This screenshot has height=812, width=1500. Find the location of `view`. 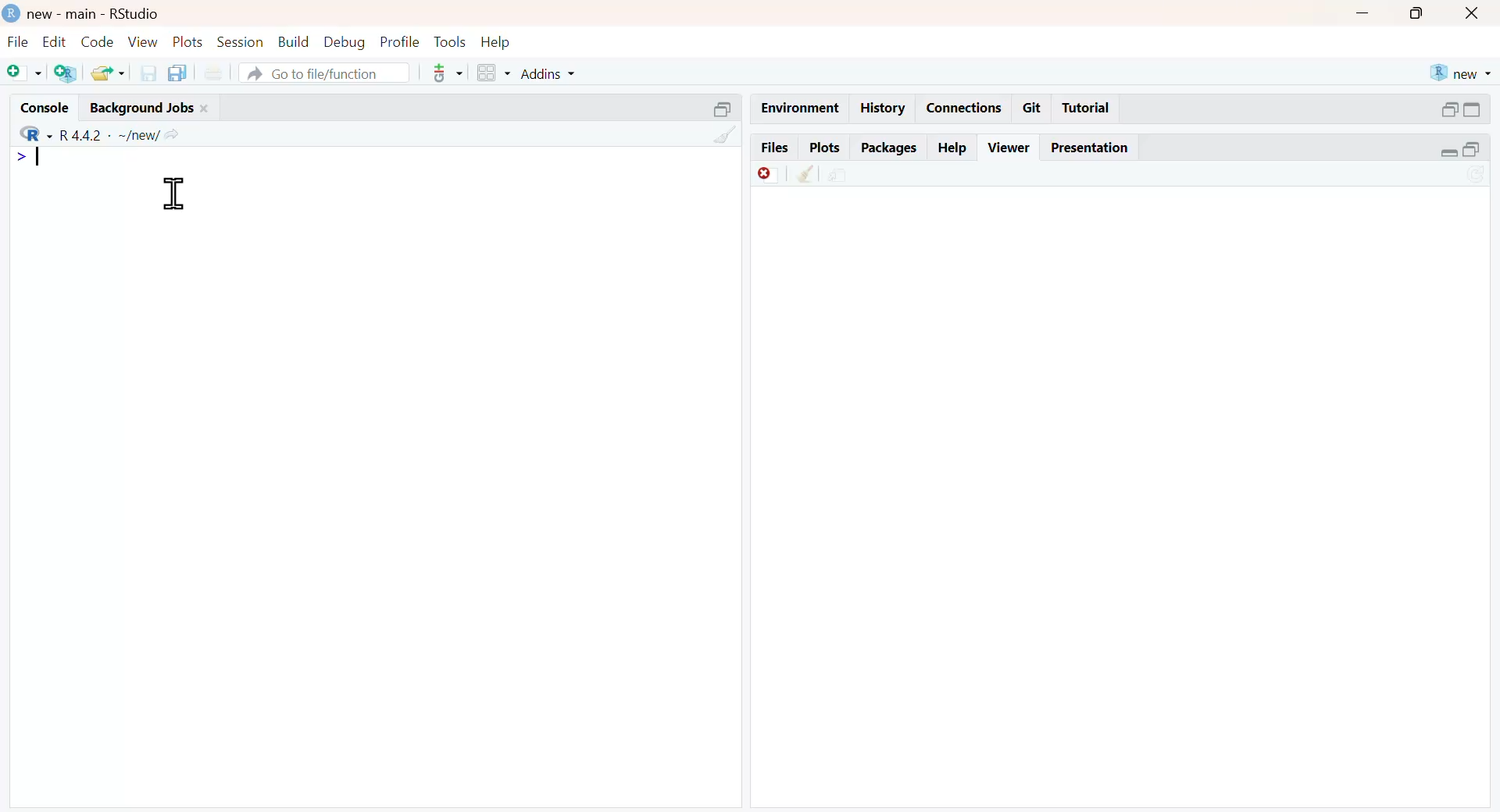

view is located at coordinates (143, 43).